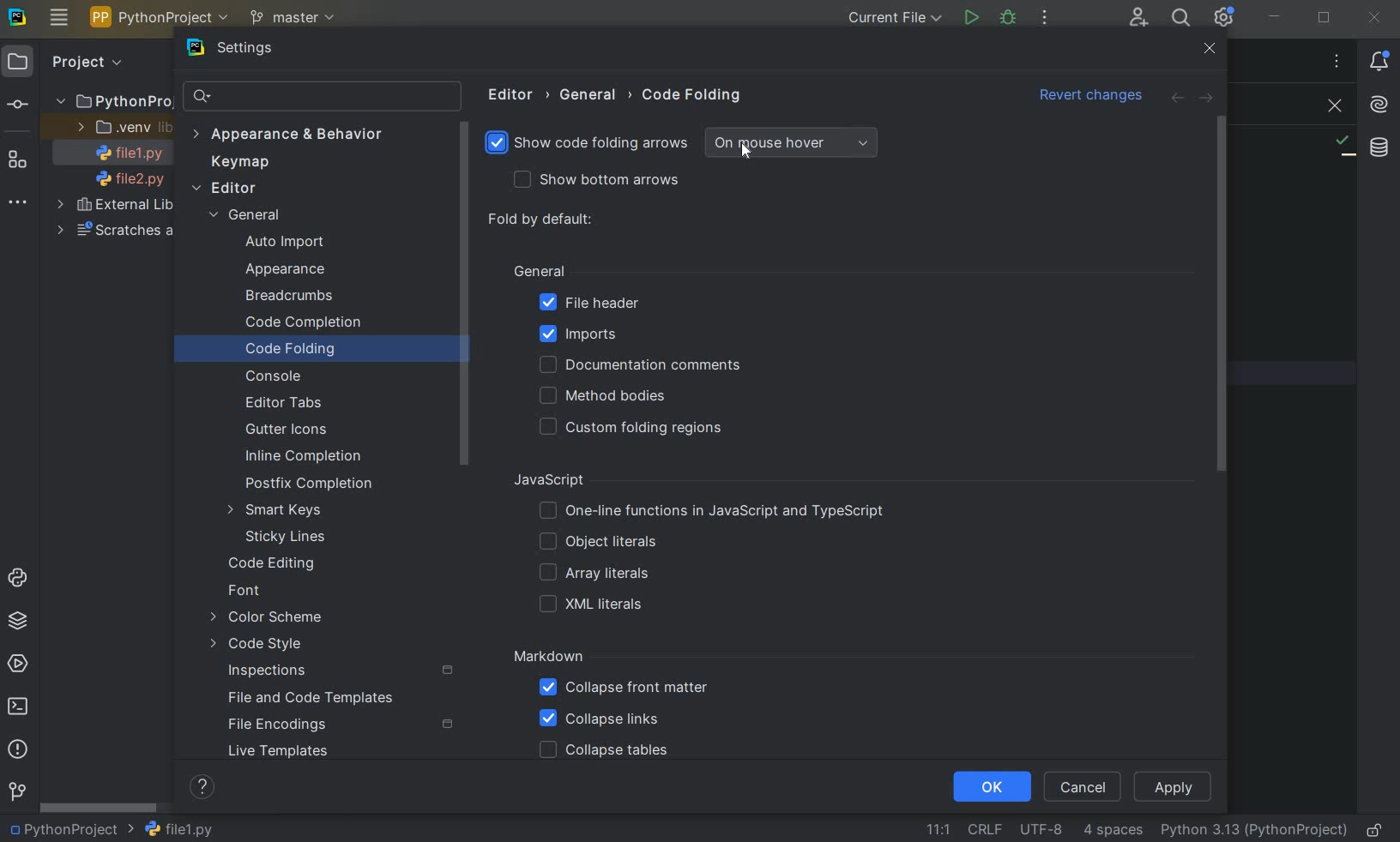  Describe the element at coordinates (321, 98) in the screenshot. I see `SEARCH SETTINGS` at that location.